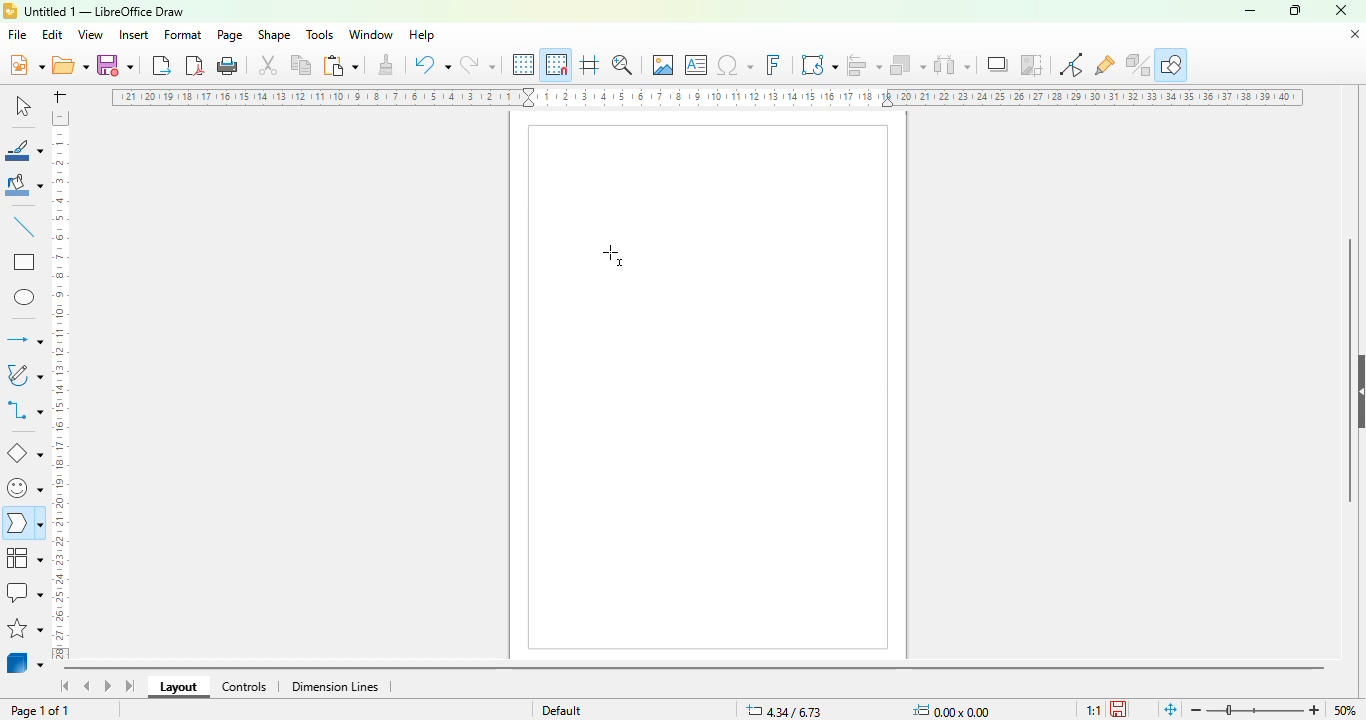 The image size is (1366, 720). Describe the element at coordinates (25, 628) in the screenshot. I see `stars and banners` at that location.